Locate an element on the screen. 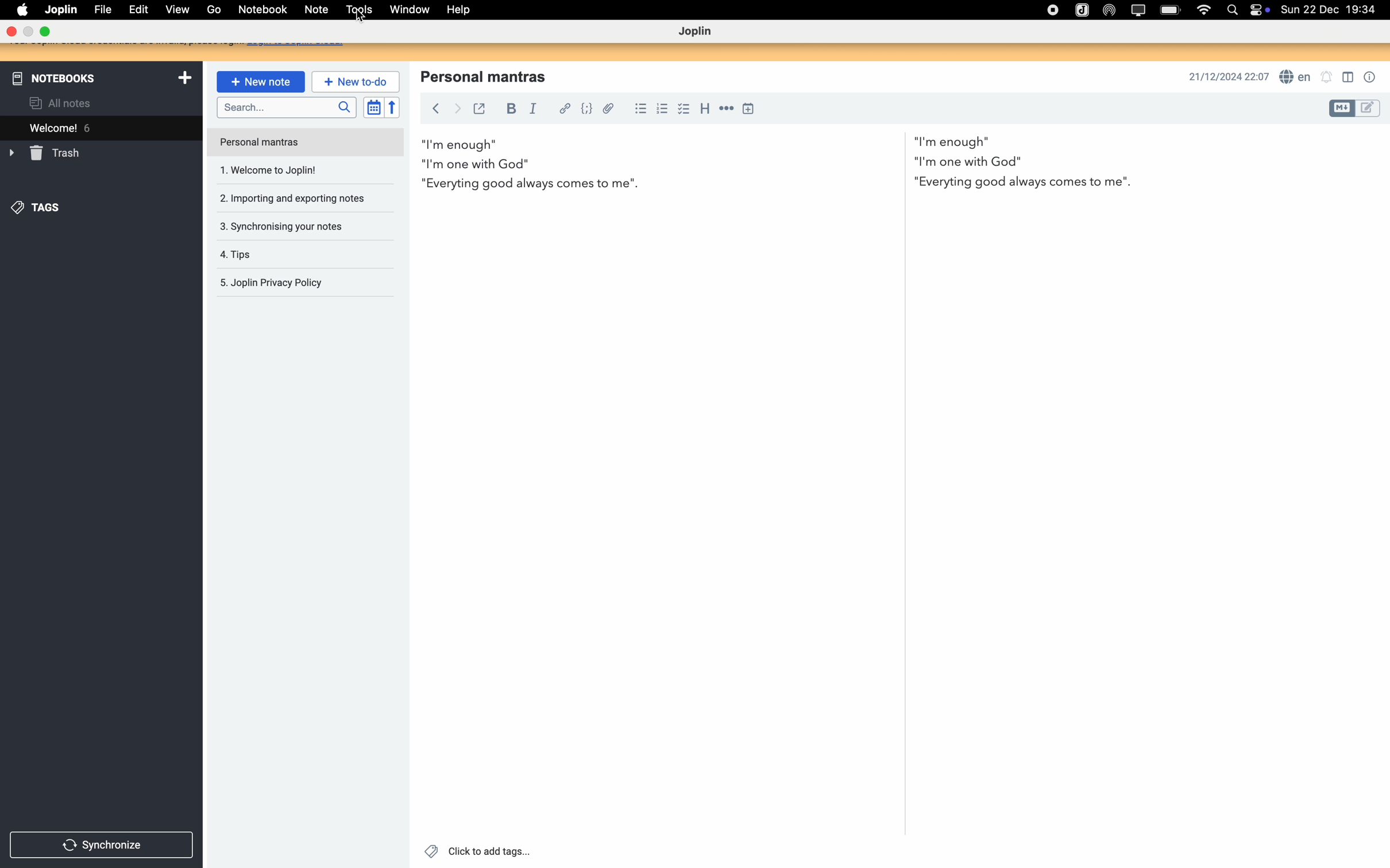 This screenshot has width=1390, height=868. search bar is located at coordinates (285, 107).